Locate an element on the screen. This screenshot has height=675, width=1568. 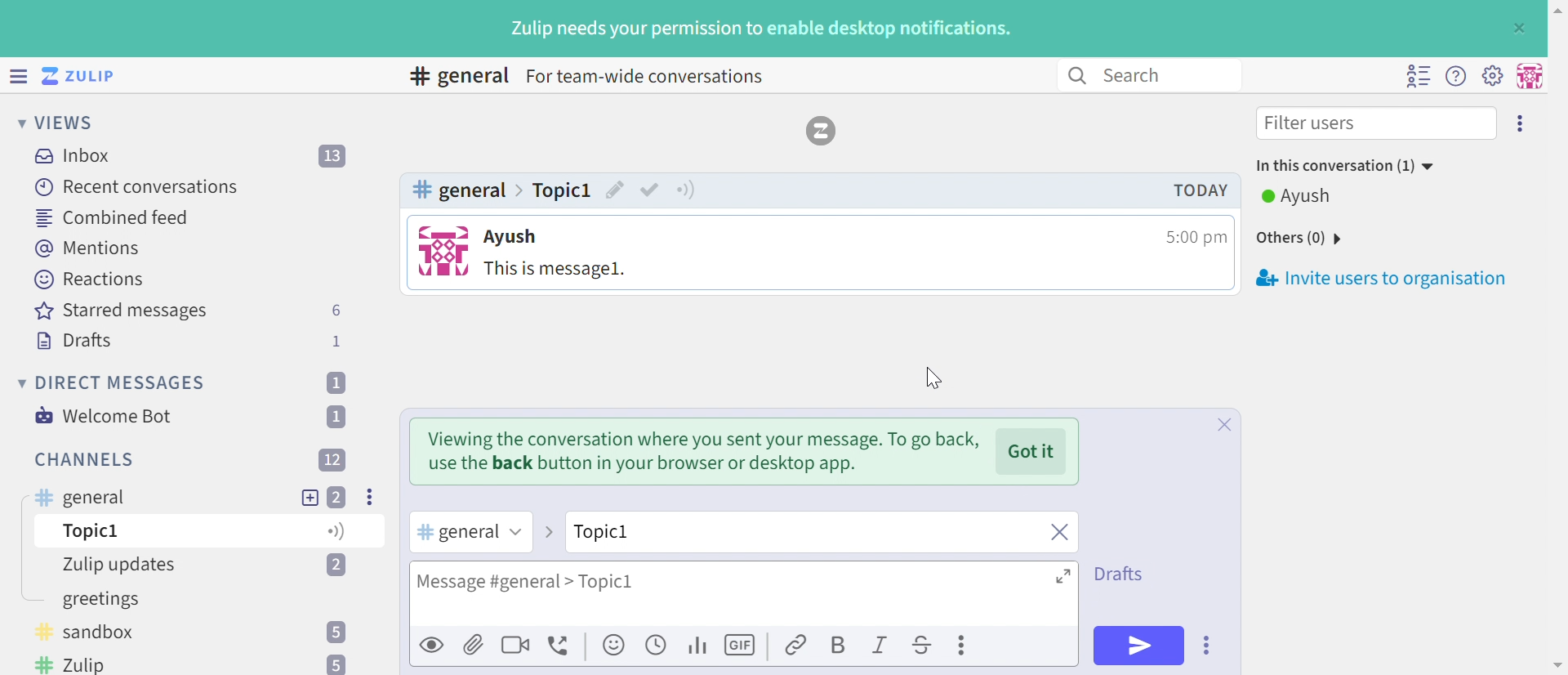
5 is located at coordinates (334, 664).